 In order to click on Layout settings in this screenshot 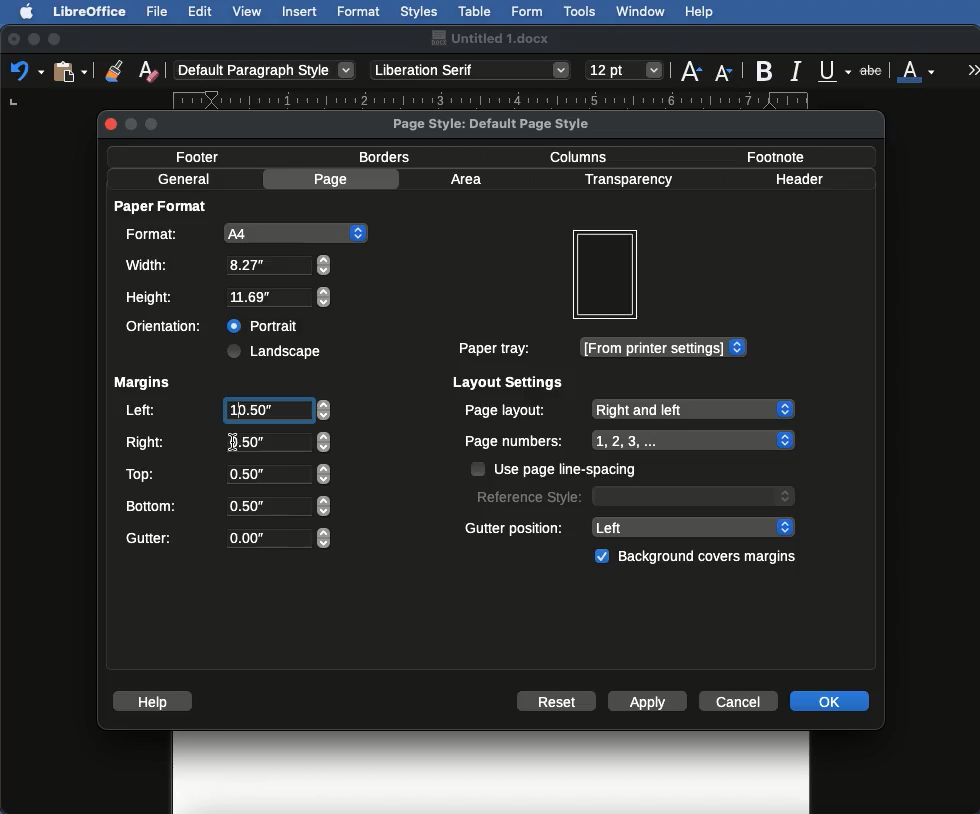, I will do `click(509, 382)`.